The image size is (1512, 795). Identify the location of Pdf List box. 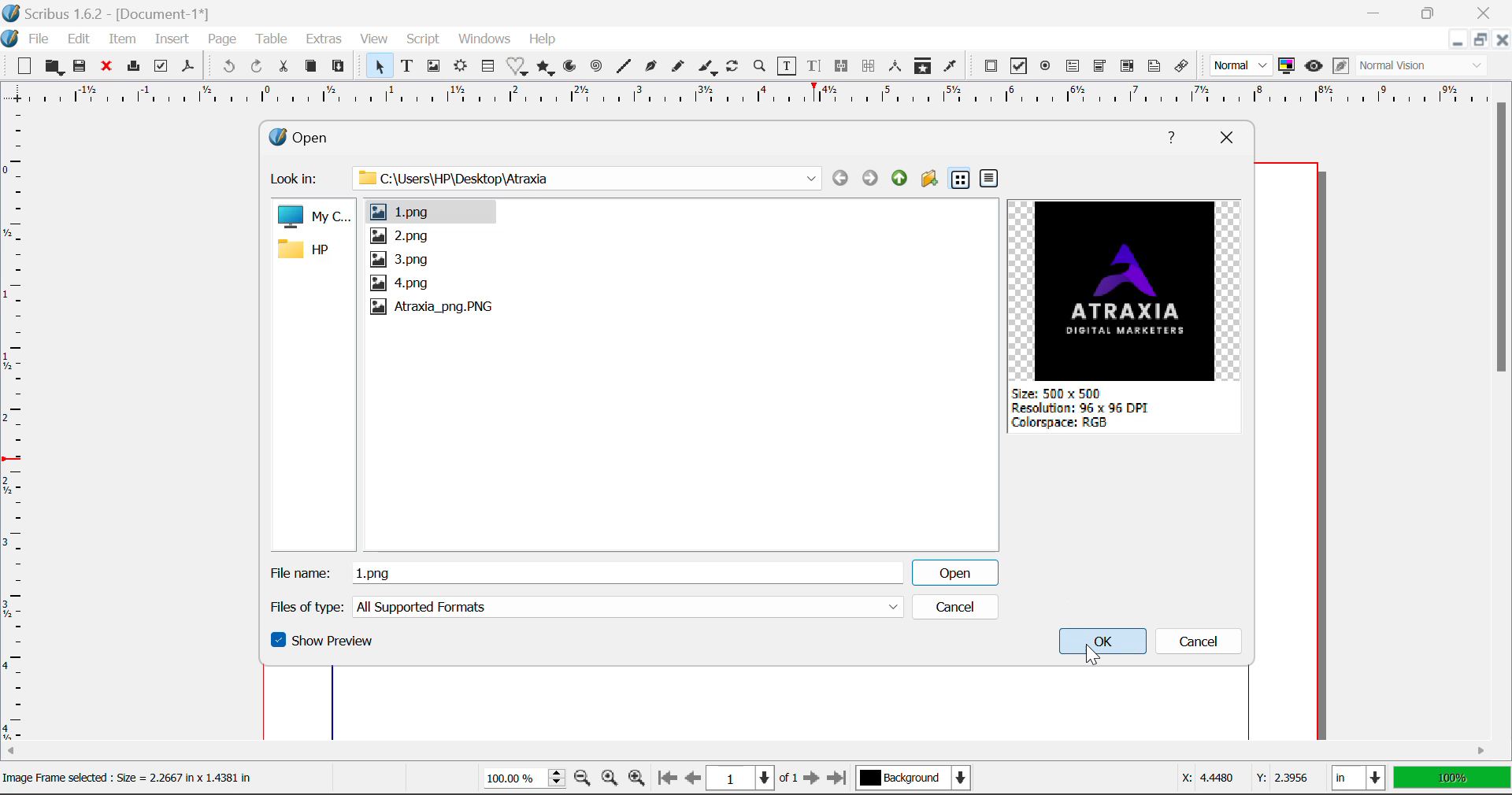
(1128, 68).